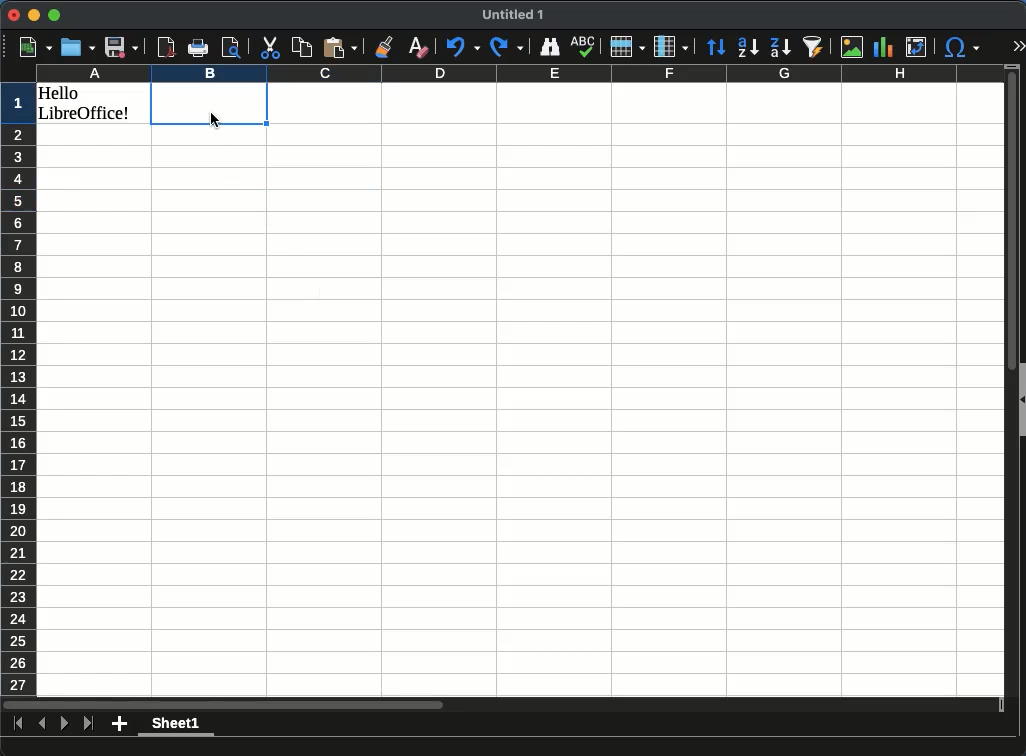 This screenshot has width=1026, height=756. Describe the element at coordinates (301, 46) in the screenshot. I see `copy` at that location.